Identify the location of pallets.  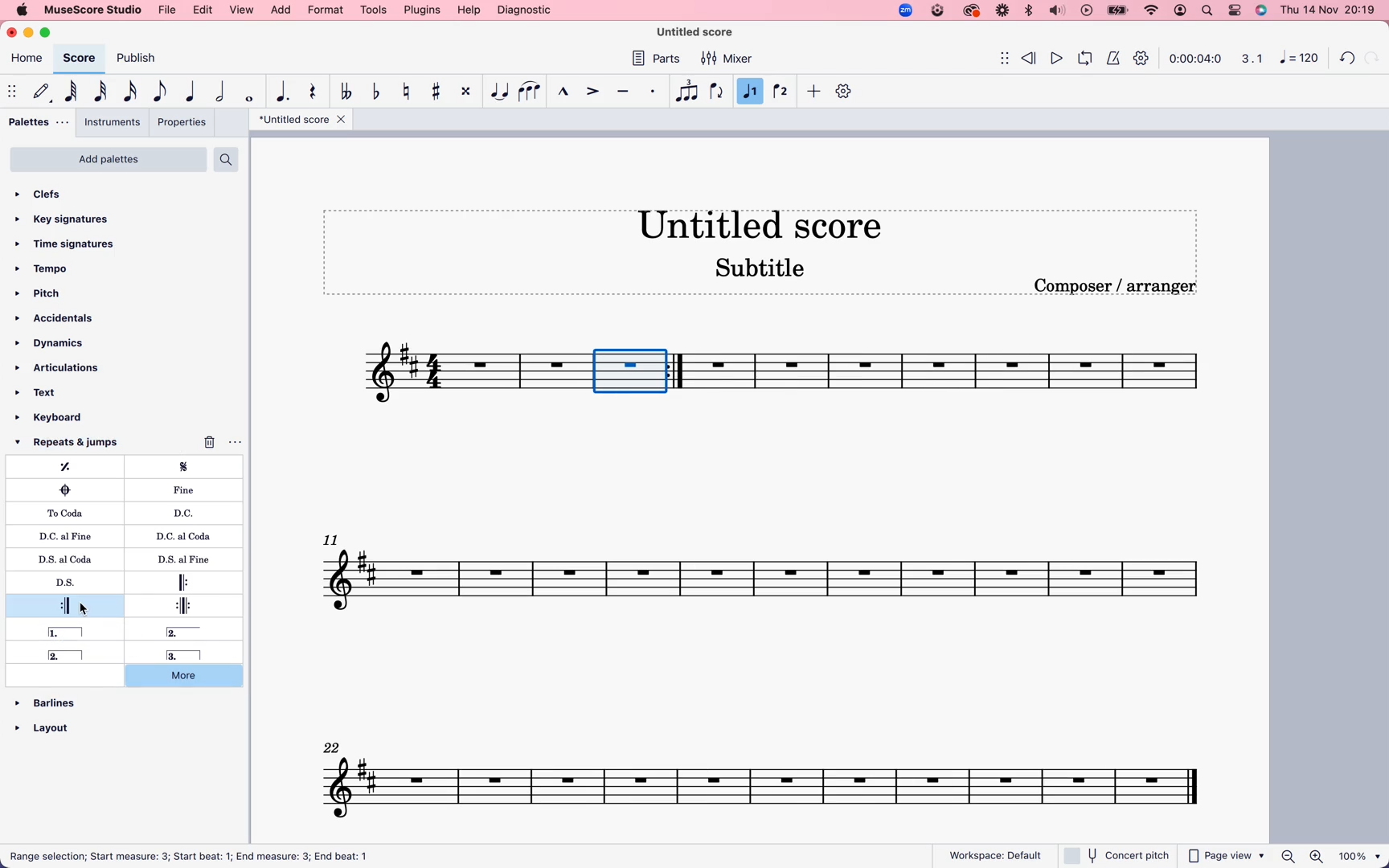
(39, 121).